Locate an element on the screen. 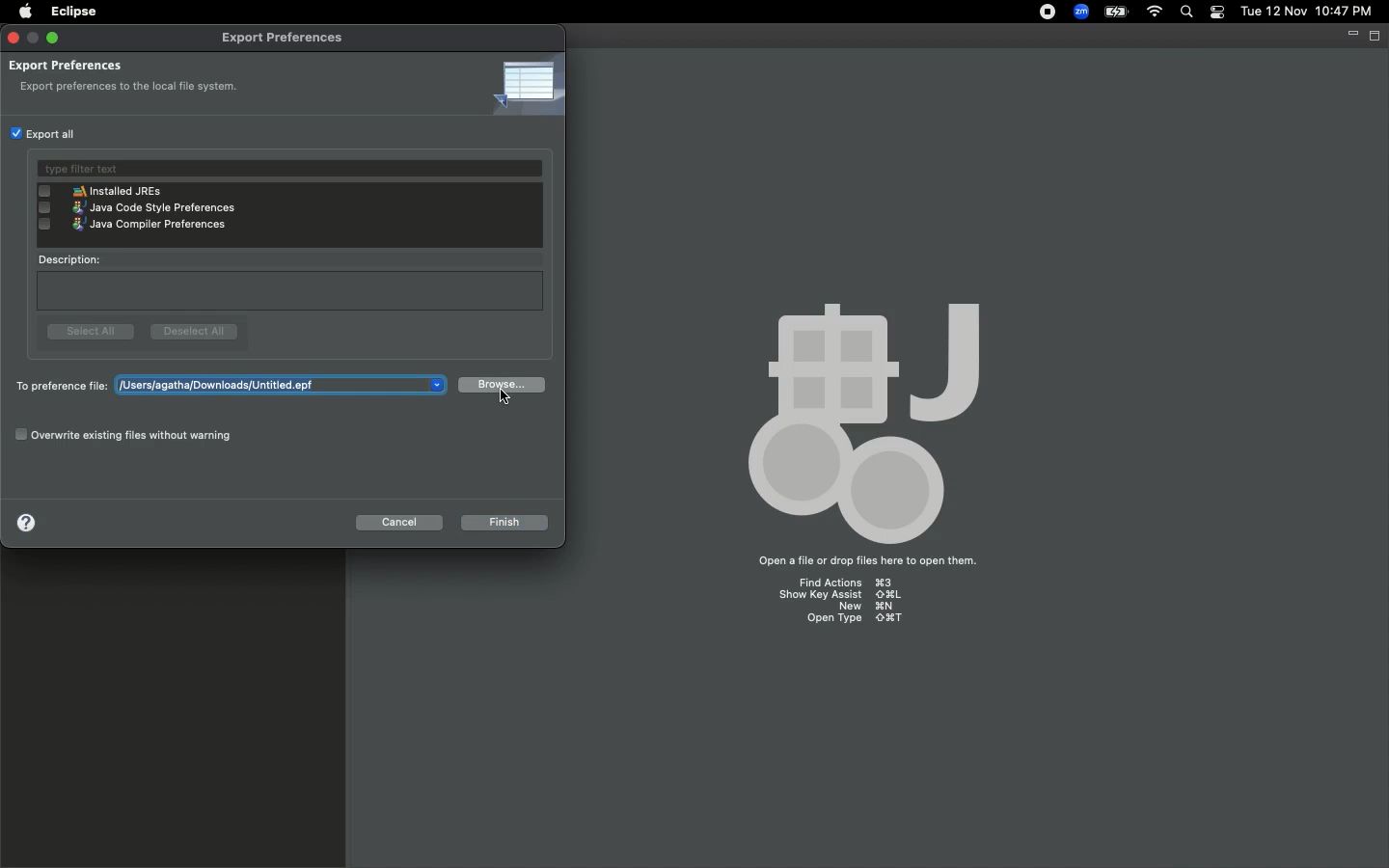 This screenshot has width=1389, height=868. To preference file is located at coordinates (64, 389).